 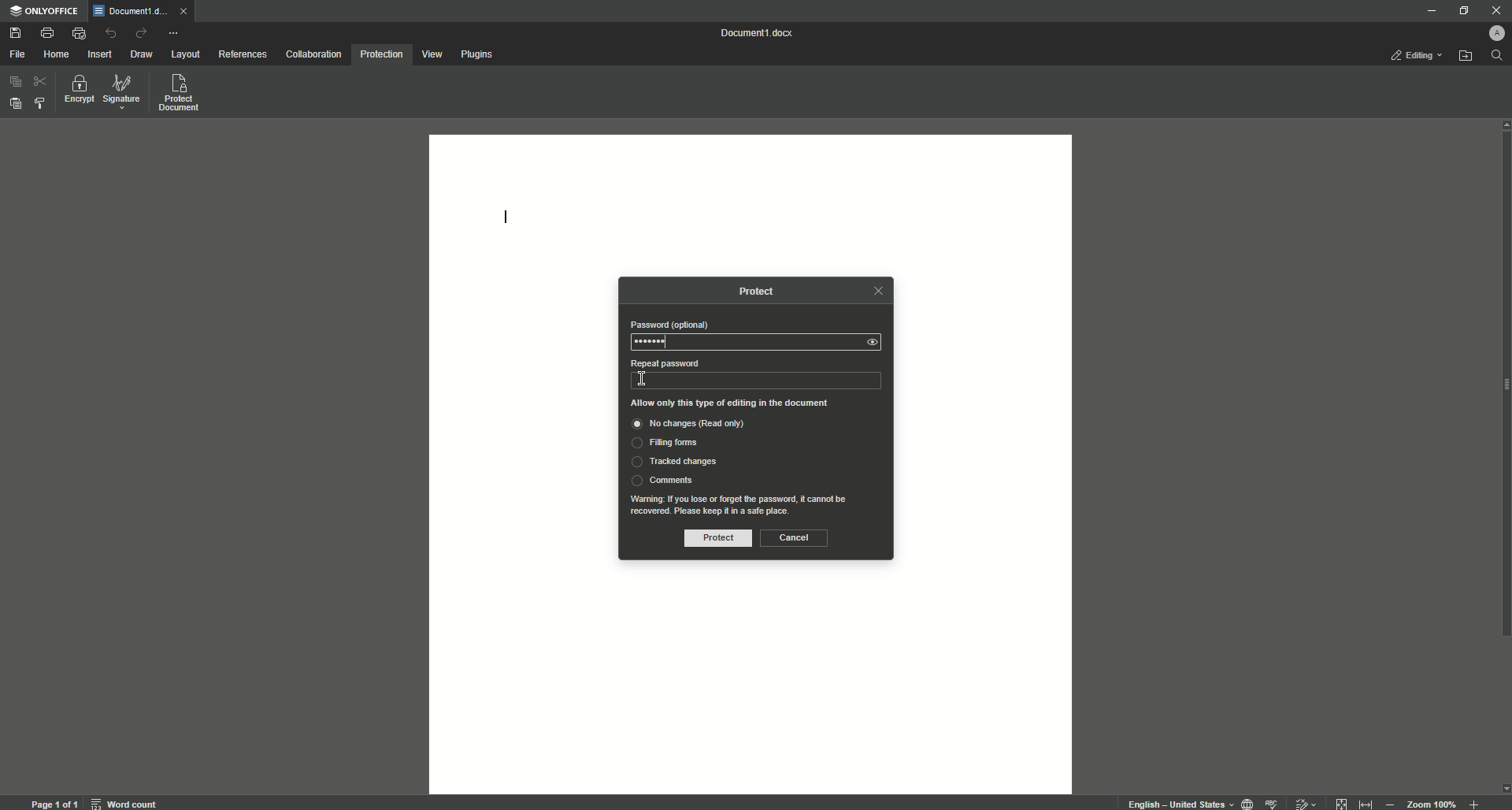 What do you see at coordinates (478, 54) in the screenshot?
I see `Plugins` at bounding box center [478, 54].